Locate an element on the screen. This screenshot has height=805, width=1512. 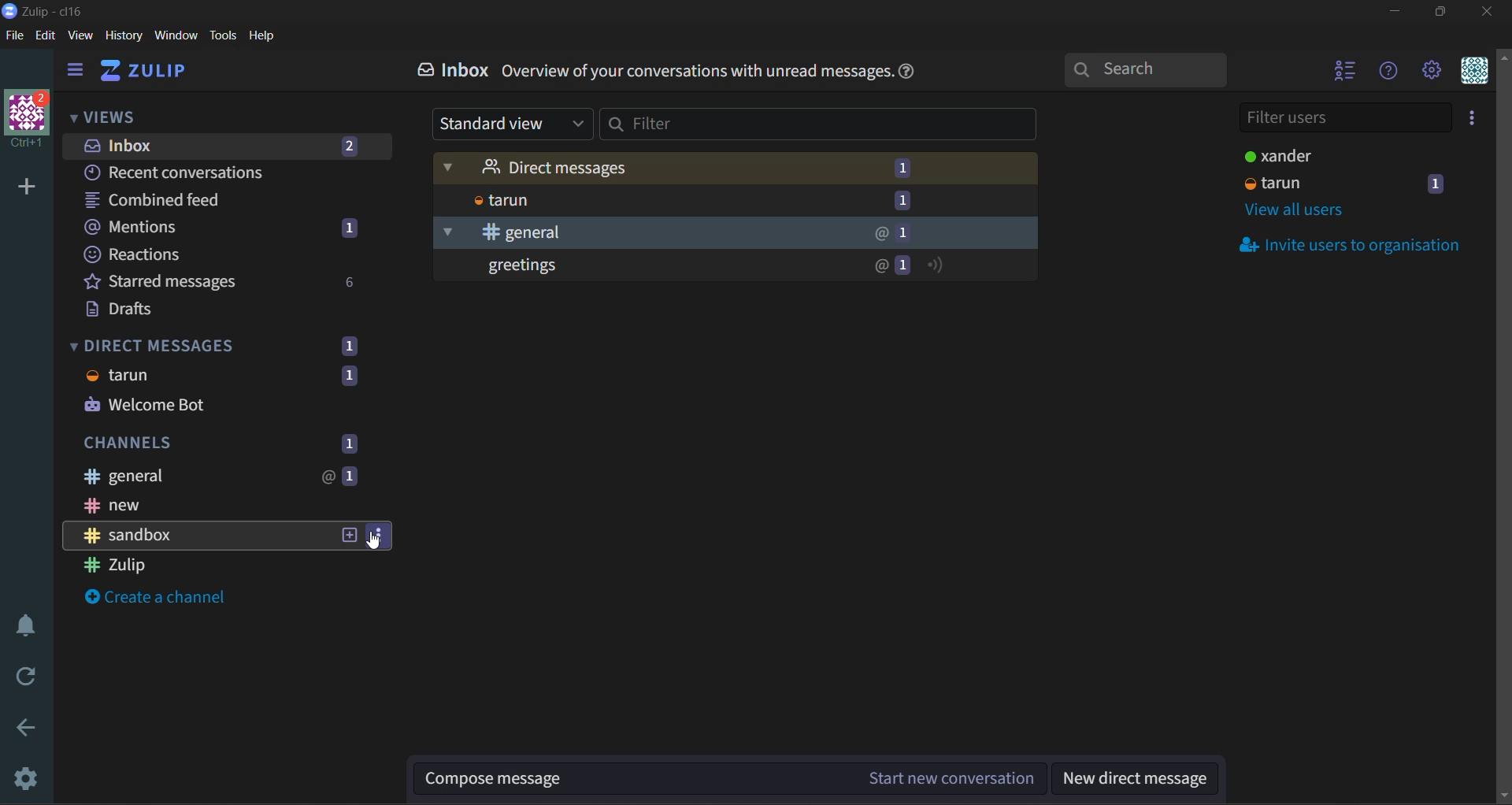
close is located at coordinates (1488, 14).